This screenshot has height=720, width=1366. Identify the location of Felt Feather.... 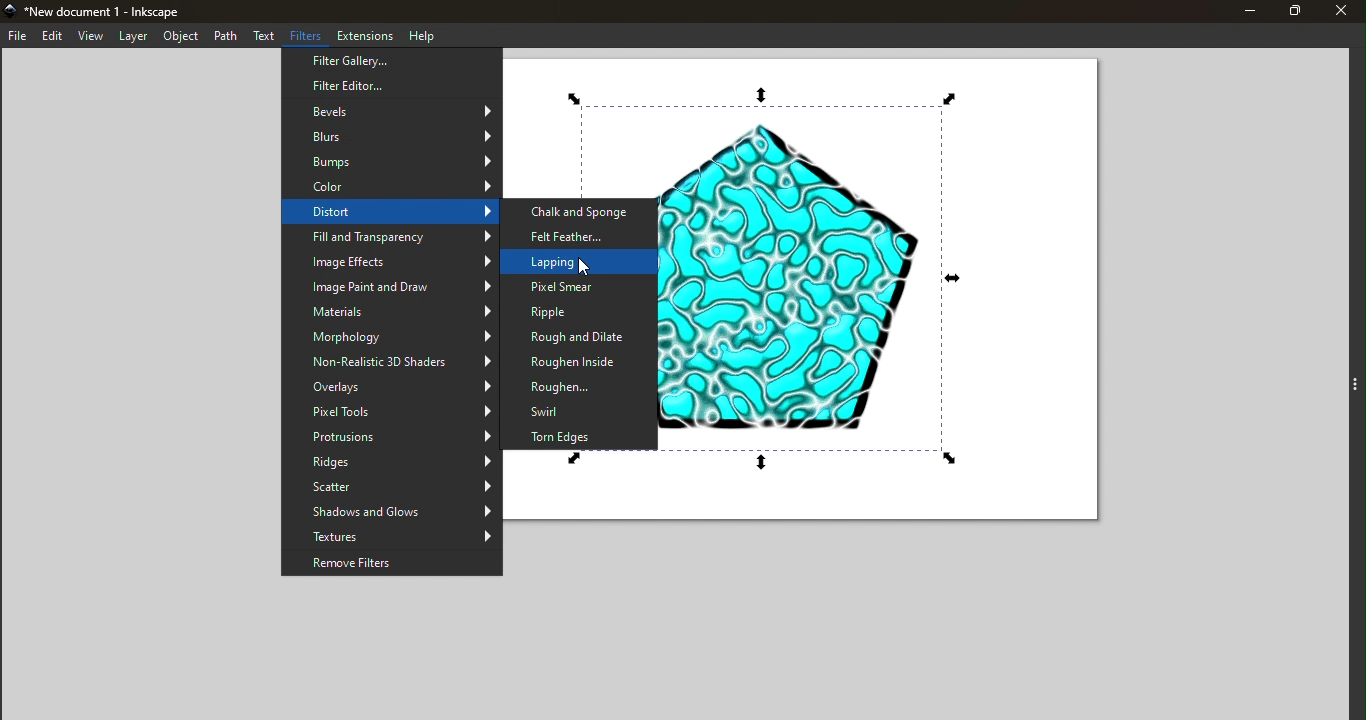
(581, 235).